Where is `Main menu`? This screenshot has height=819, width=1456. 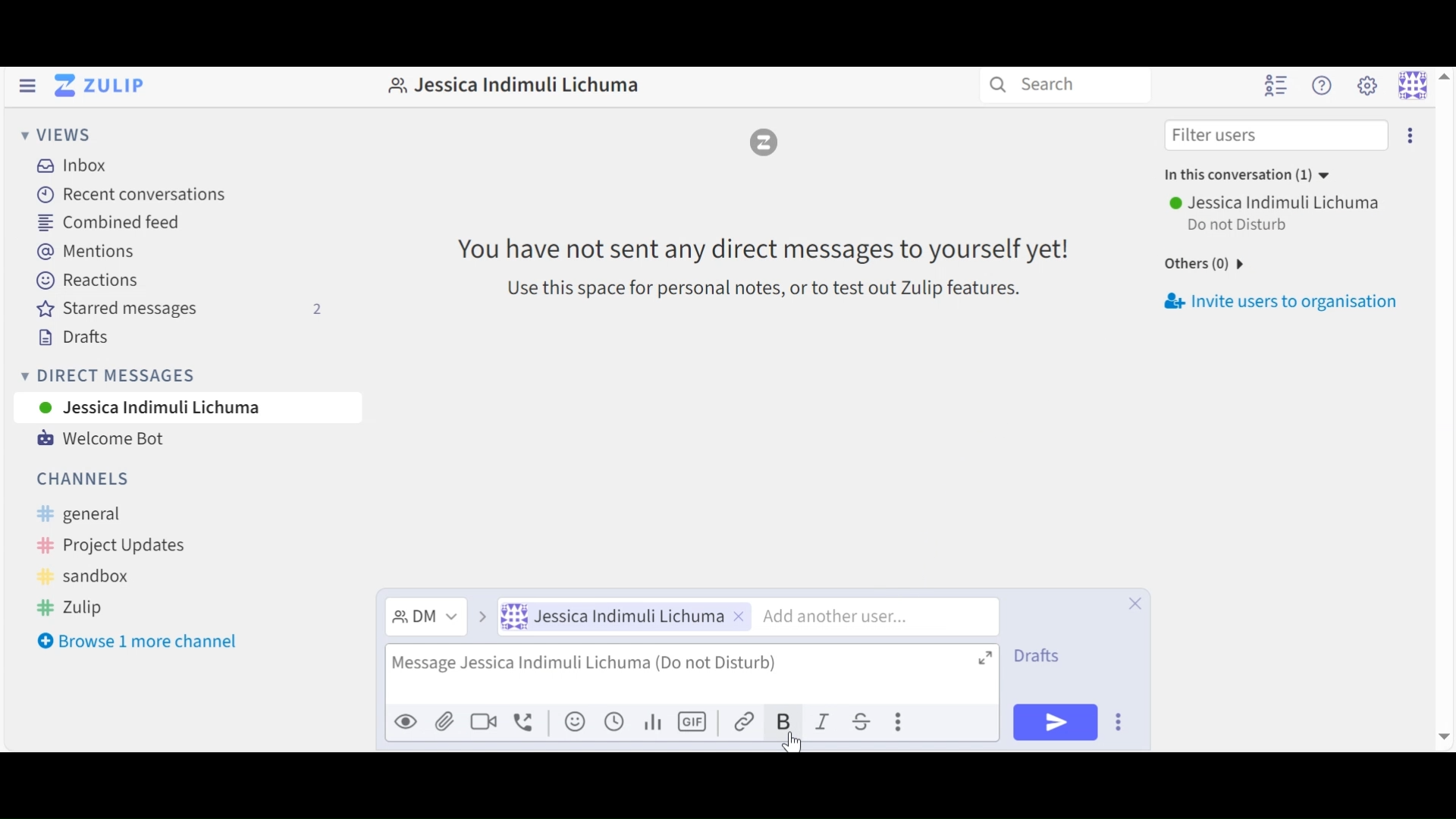 Main menu is located at coordinates (1367, 86).